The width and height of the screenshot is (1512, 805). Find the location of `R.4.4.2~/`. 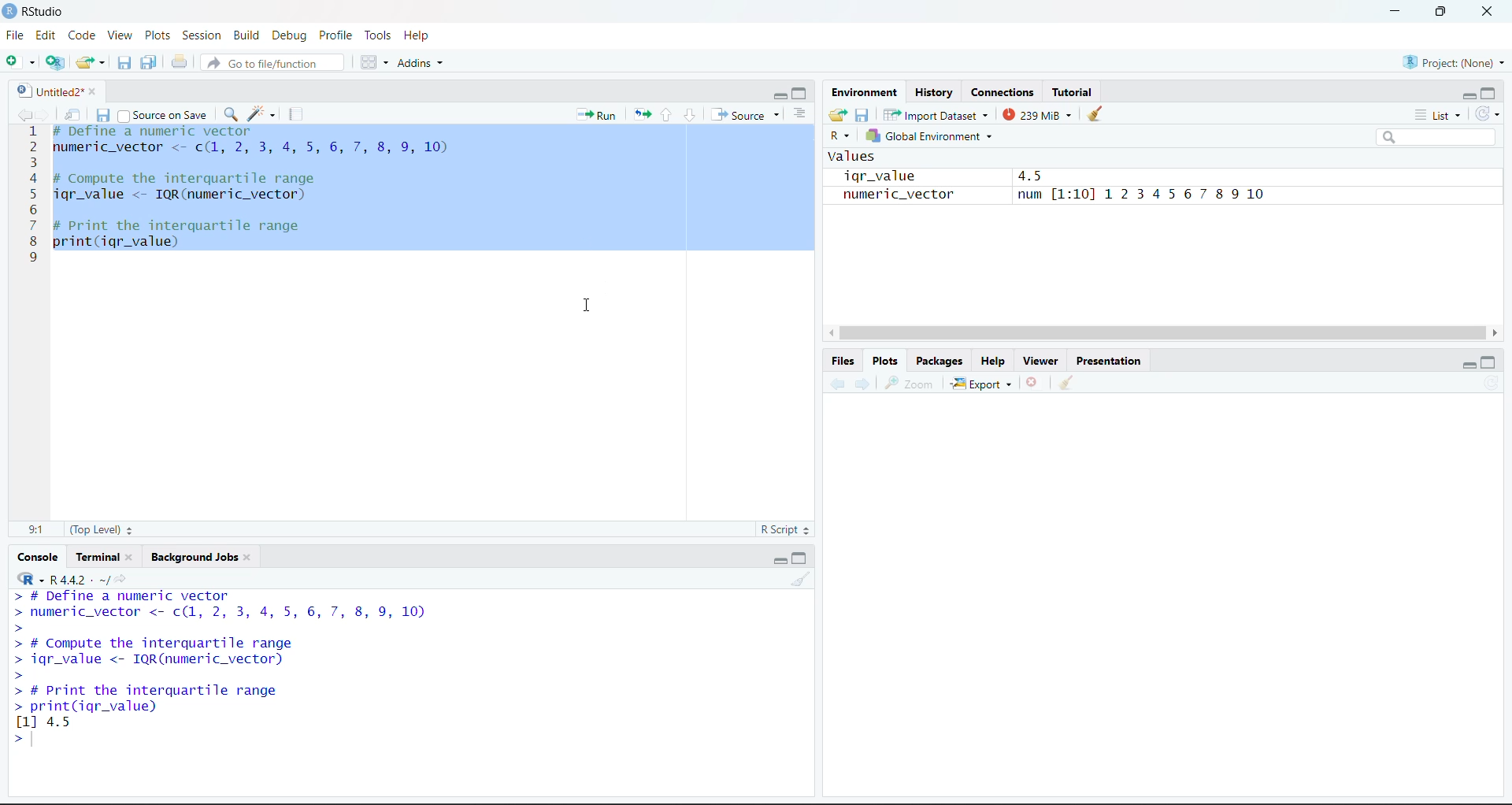

R.4.4.2~/ is located at coordinates (81, 581).